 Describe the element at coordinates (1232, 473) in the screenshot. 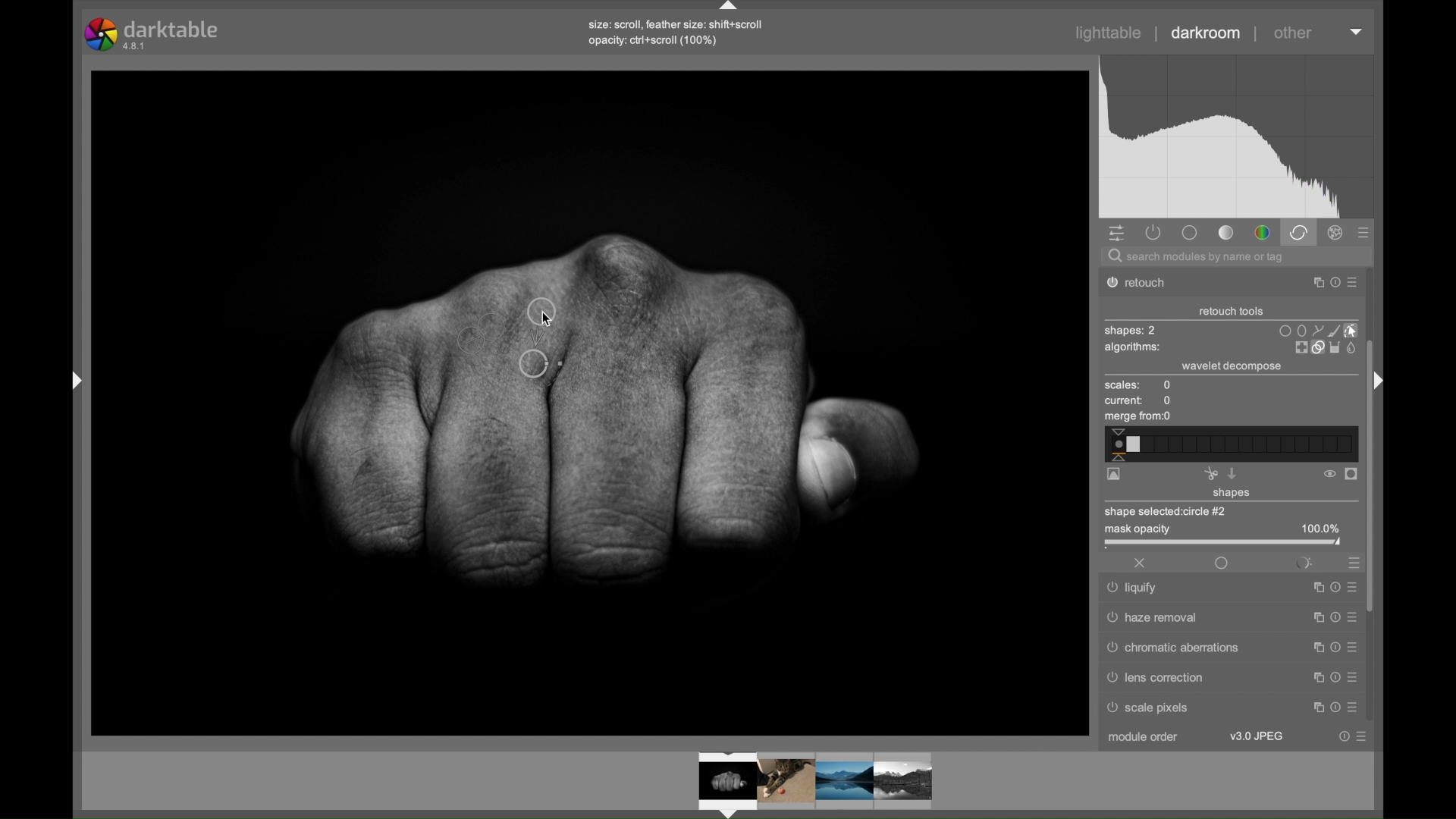

I see `paste` at that location.